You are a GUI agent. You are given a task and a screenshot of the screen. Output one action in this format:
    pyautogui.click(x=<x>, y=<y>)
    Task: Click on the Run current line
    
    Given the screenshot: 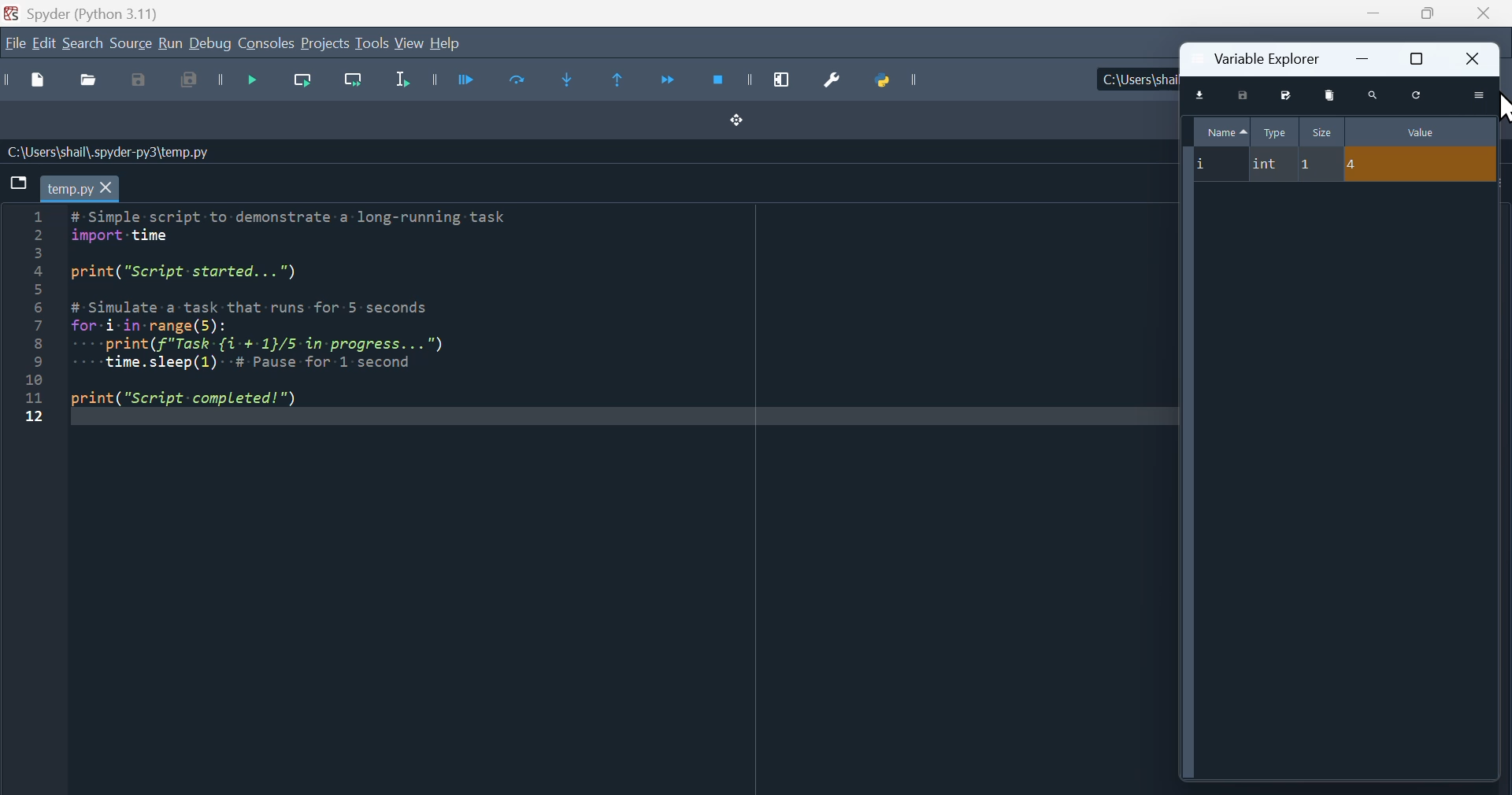 What is the action you would take?
    pyautogui.click(x=299, y=84)
    